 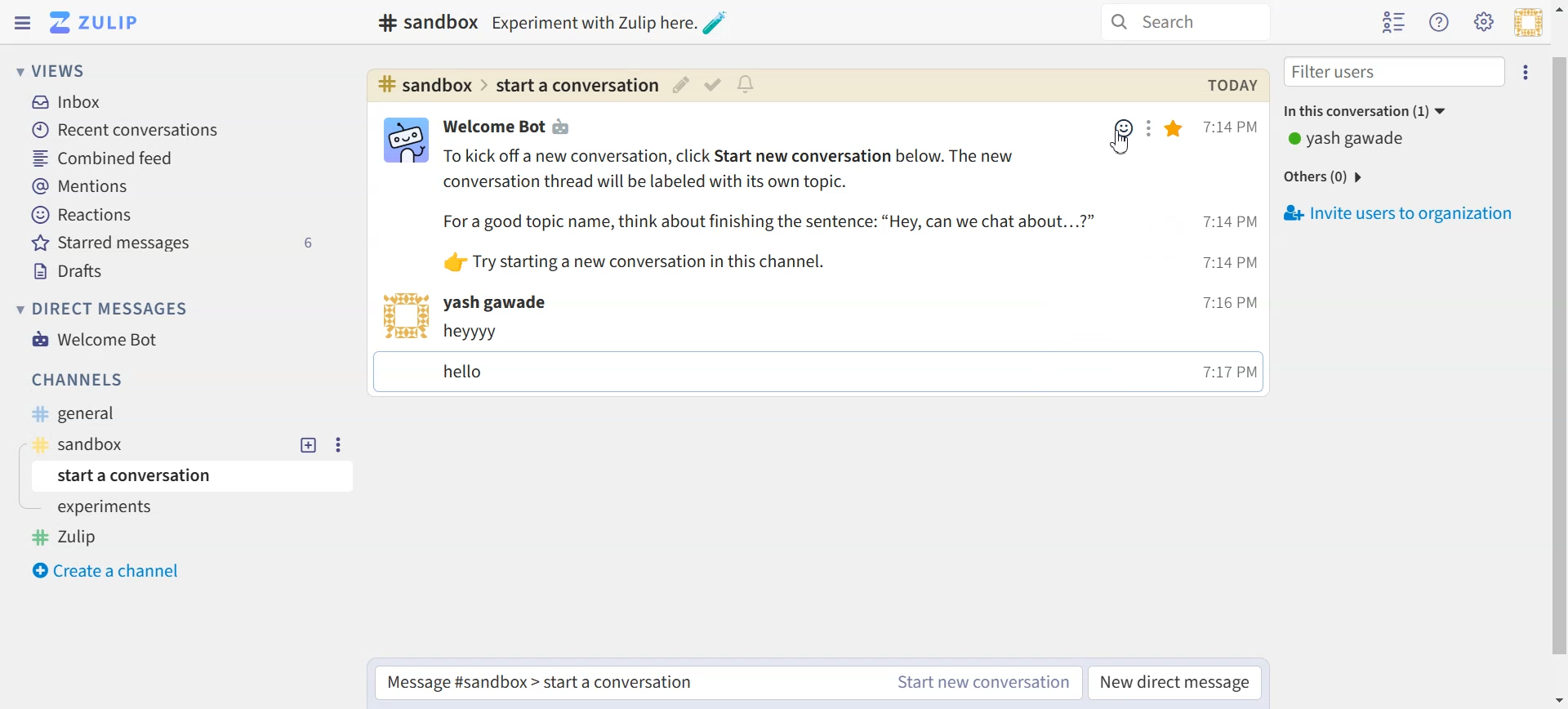 What do you see at coordinates (984, 682) in the screenshot?
I see `Start new conversation` at bounding box center [984, 682].